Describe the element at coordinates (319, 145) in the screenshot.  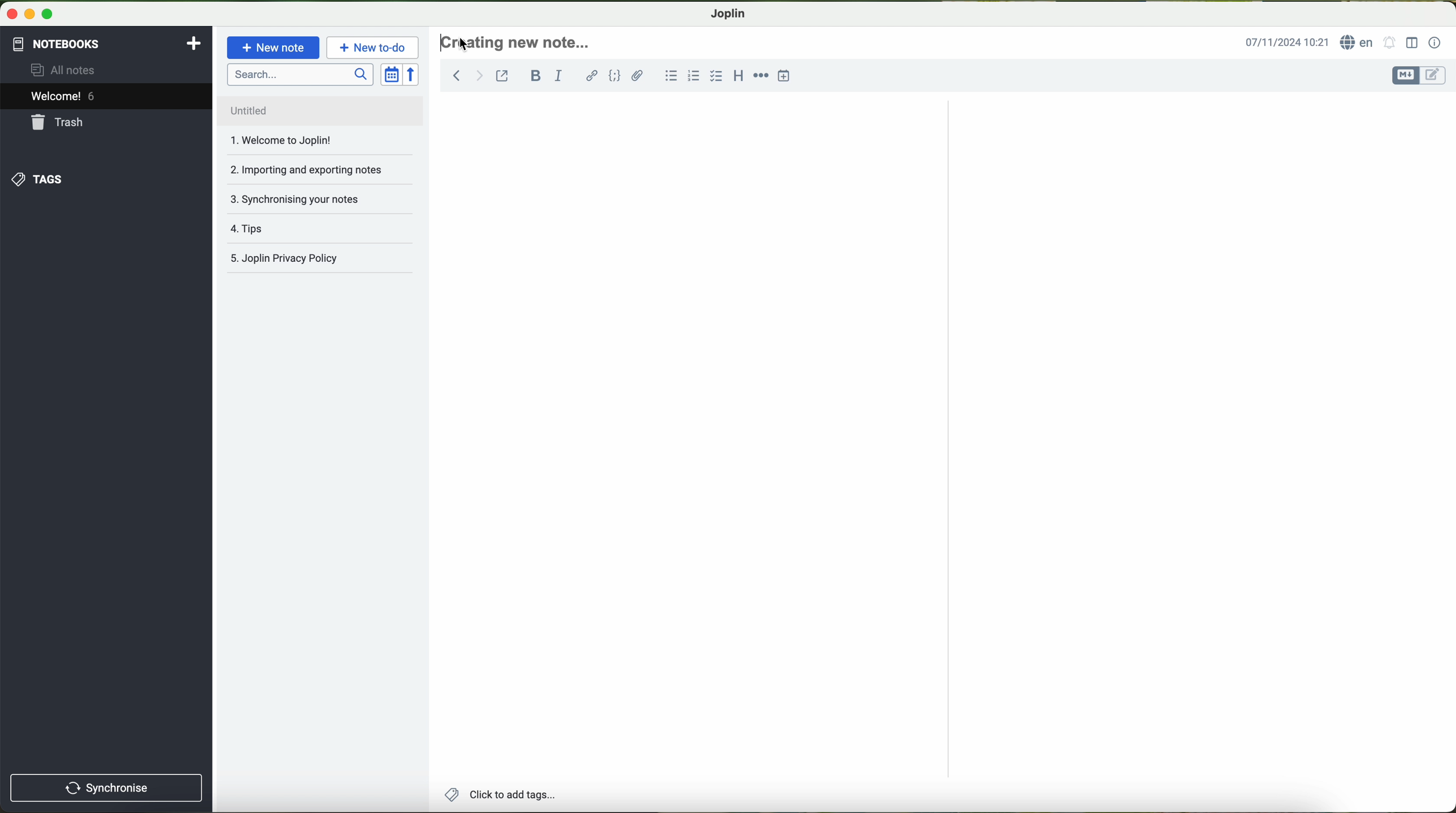
I see `welcome to Joplin` at that location.